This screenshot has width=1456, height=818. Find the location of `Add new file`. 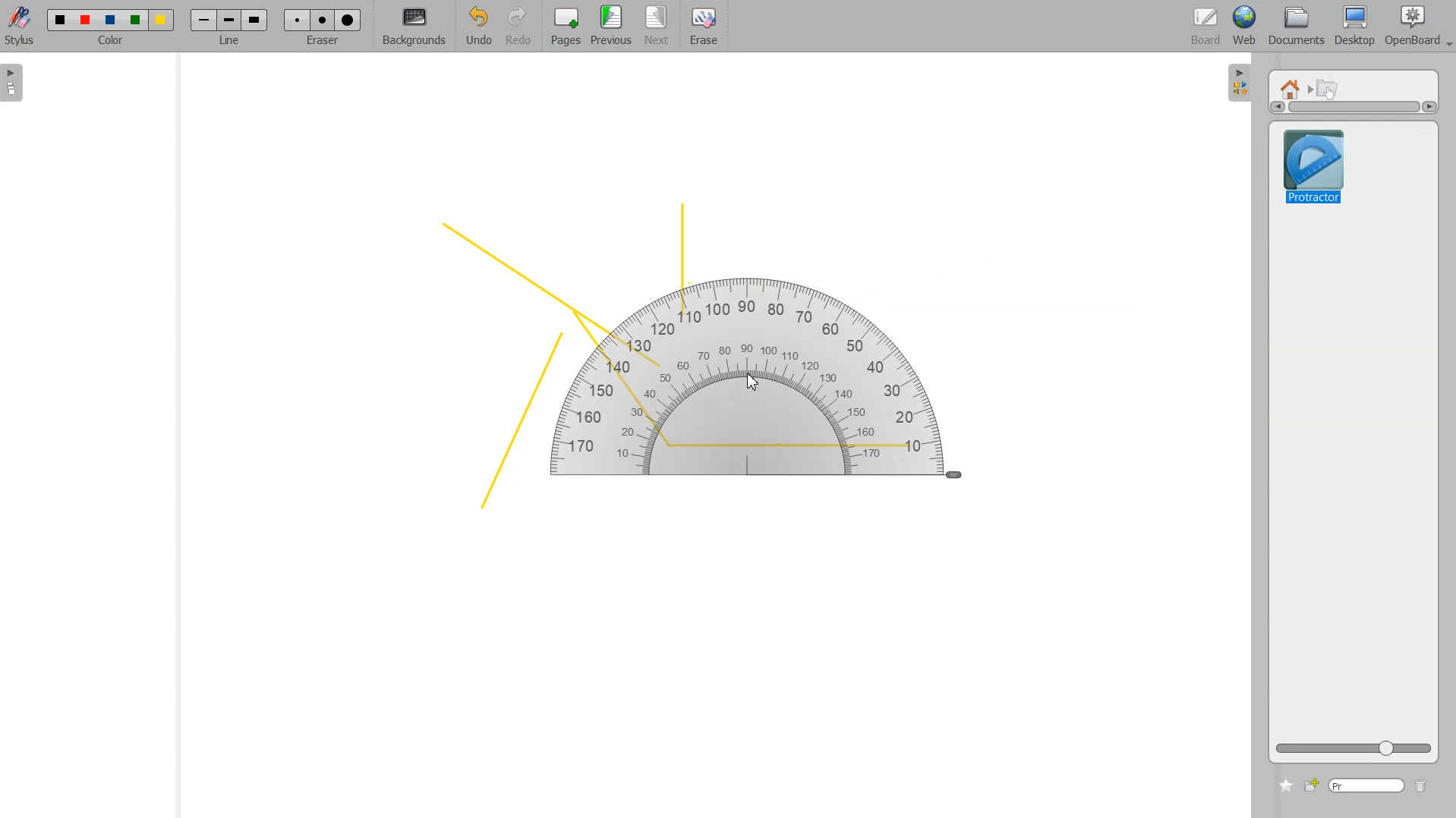

Add new file is located at coordinates (1310, 785).